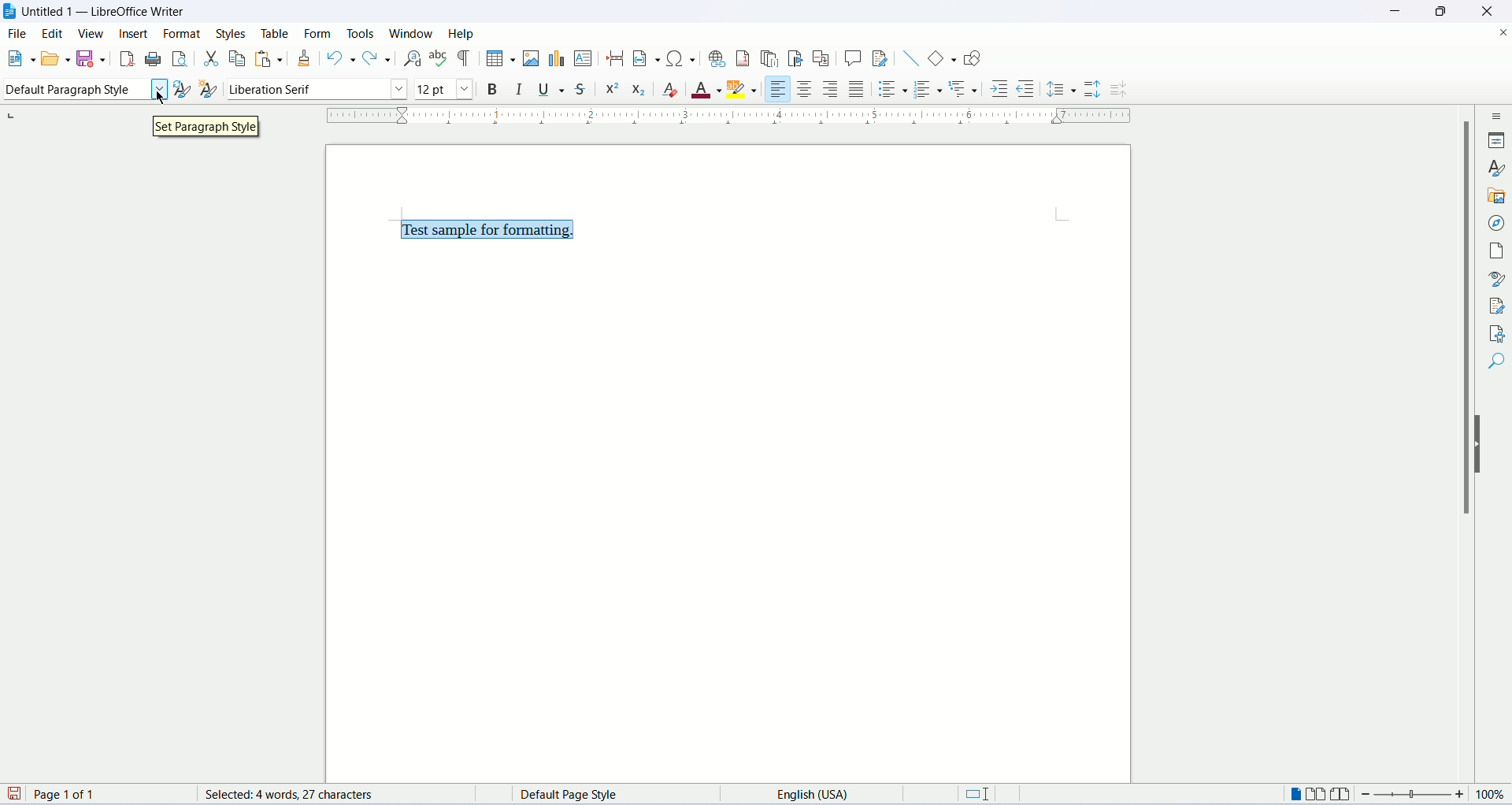 The height and width of the screenshot is (805, 1512). I want to click on superscript, so click(613, 89).